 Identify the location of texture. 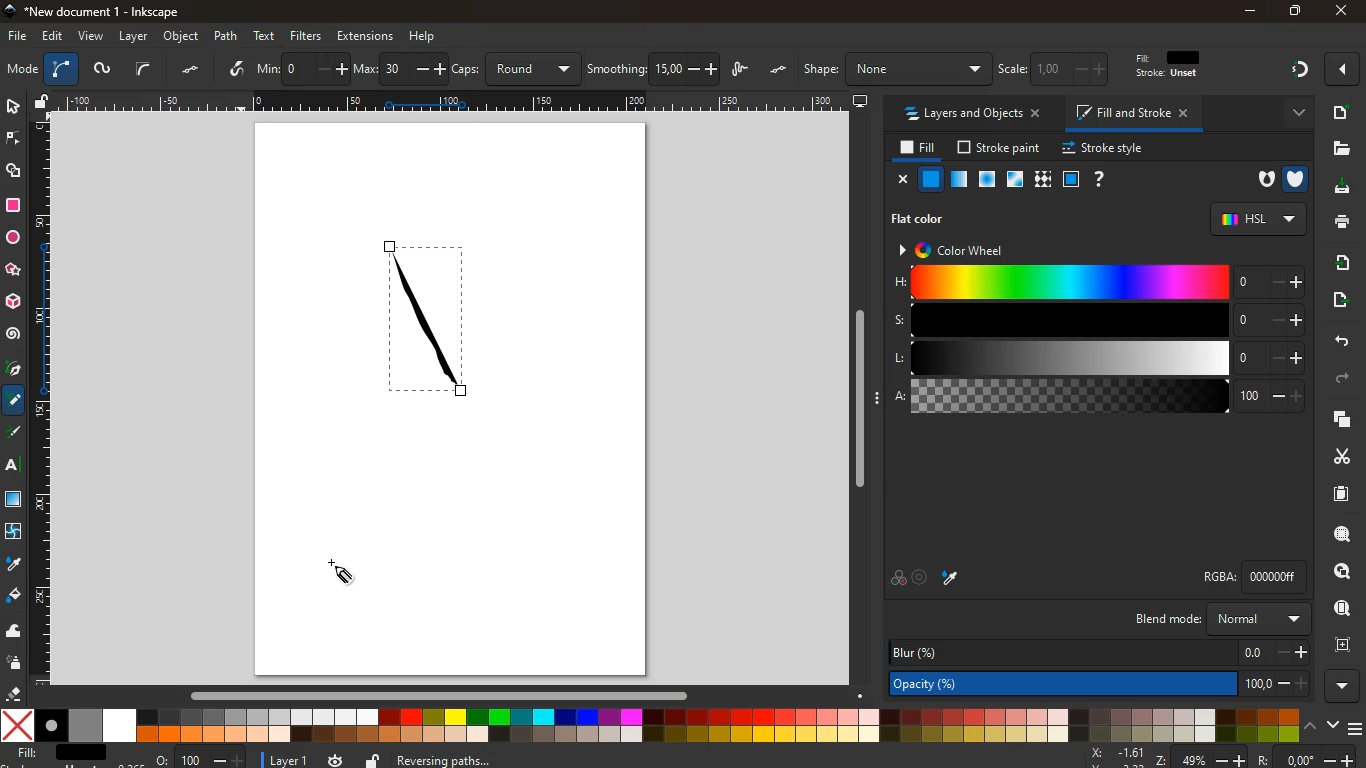
(1043, 180).